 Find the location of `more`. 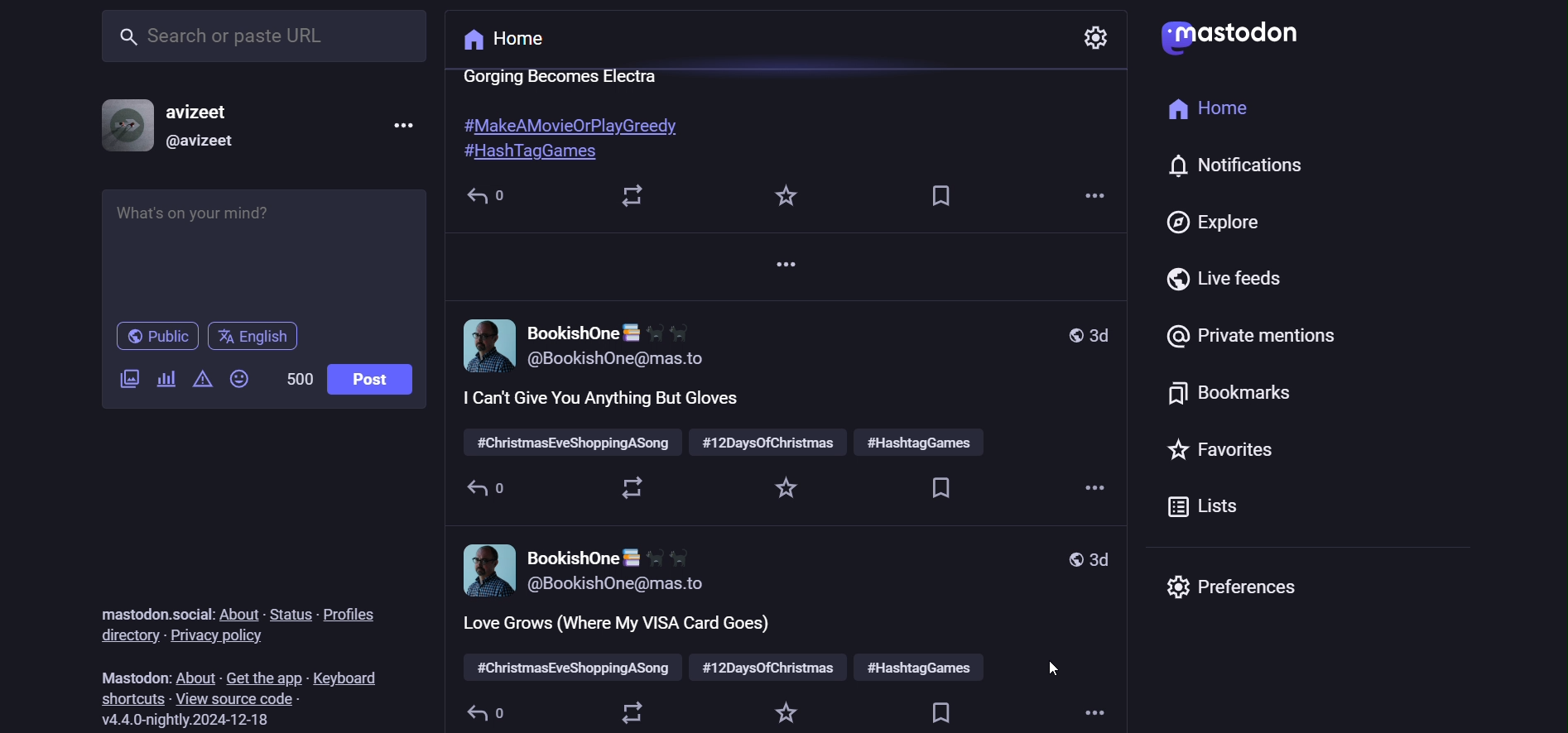

more is located at coordinates (1090, 196).